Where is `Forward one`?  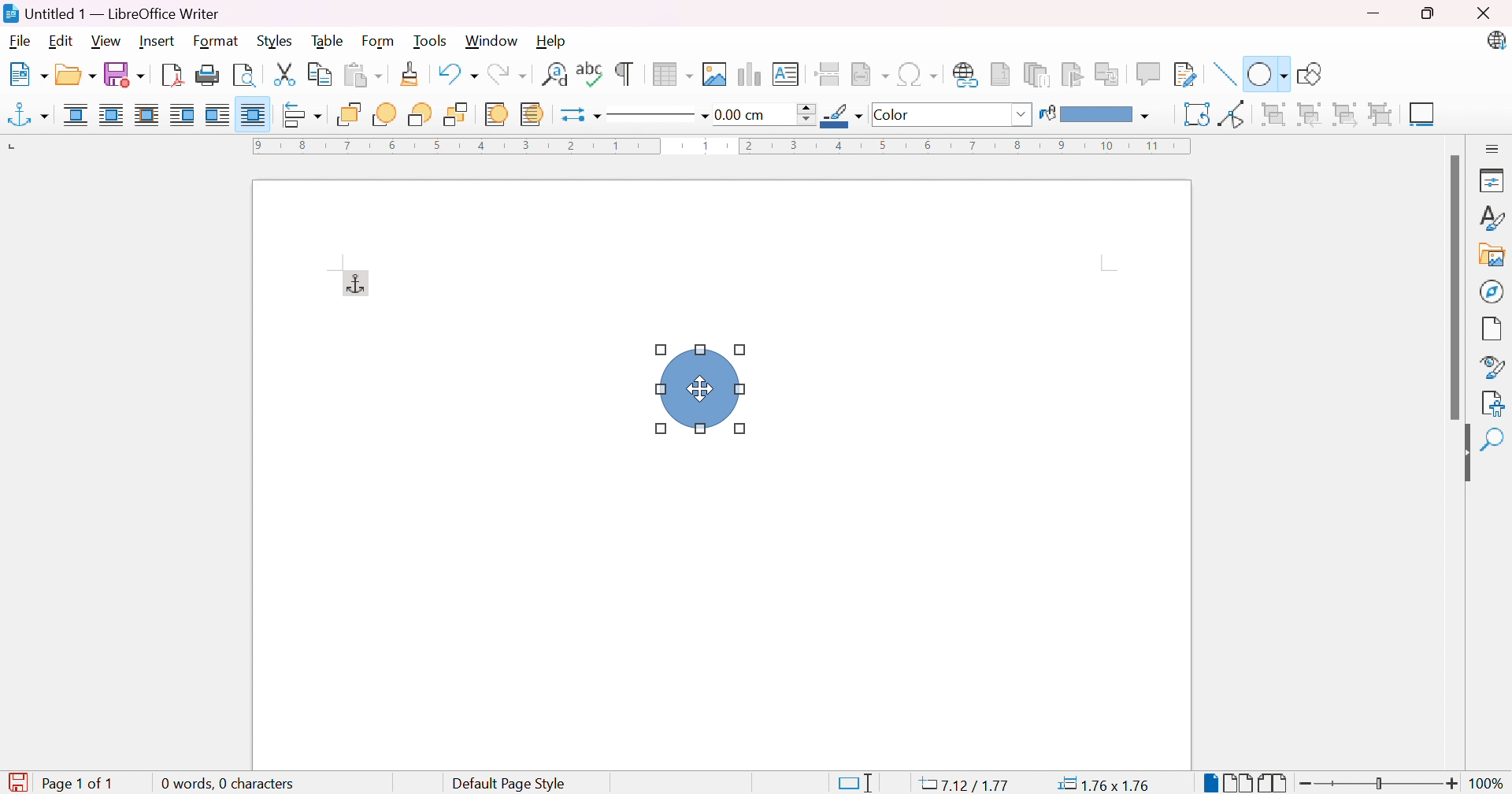 Forward one is located at coordinates (384, 114).